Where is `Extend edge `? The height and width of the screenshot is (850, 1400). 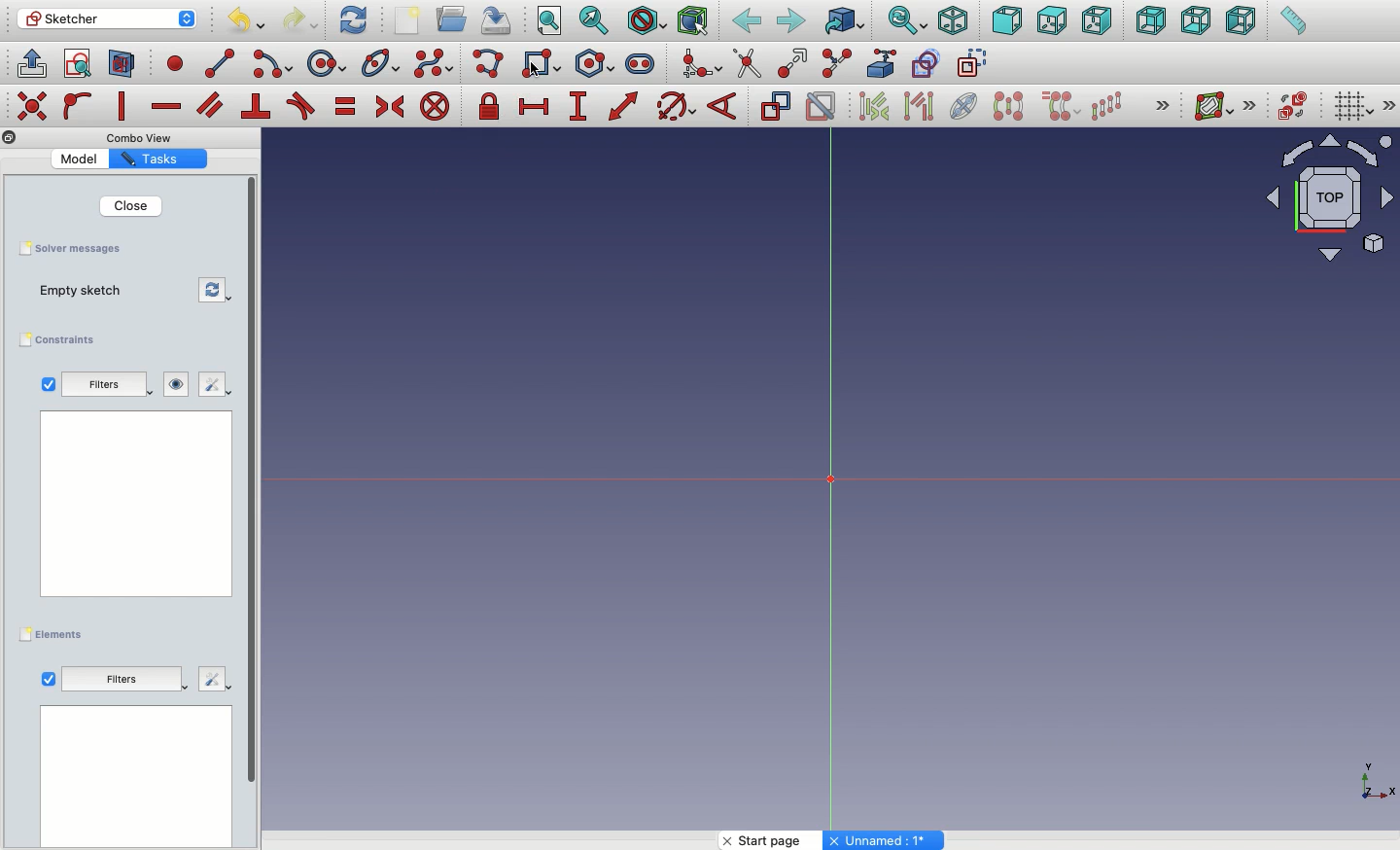
Extend edge  is located at coordinates (795, 64).